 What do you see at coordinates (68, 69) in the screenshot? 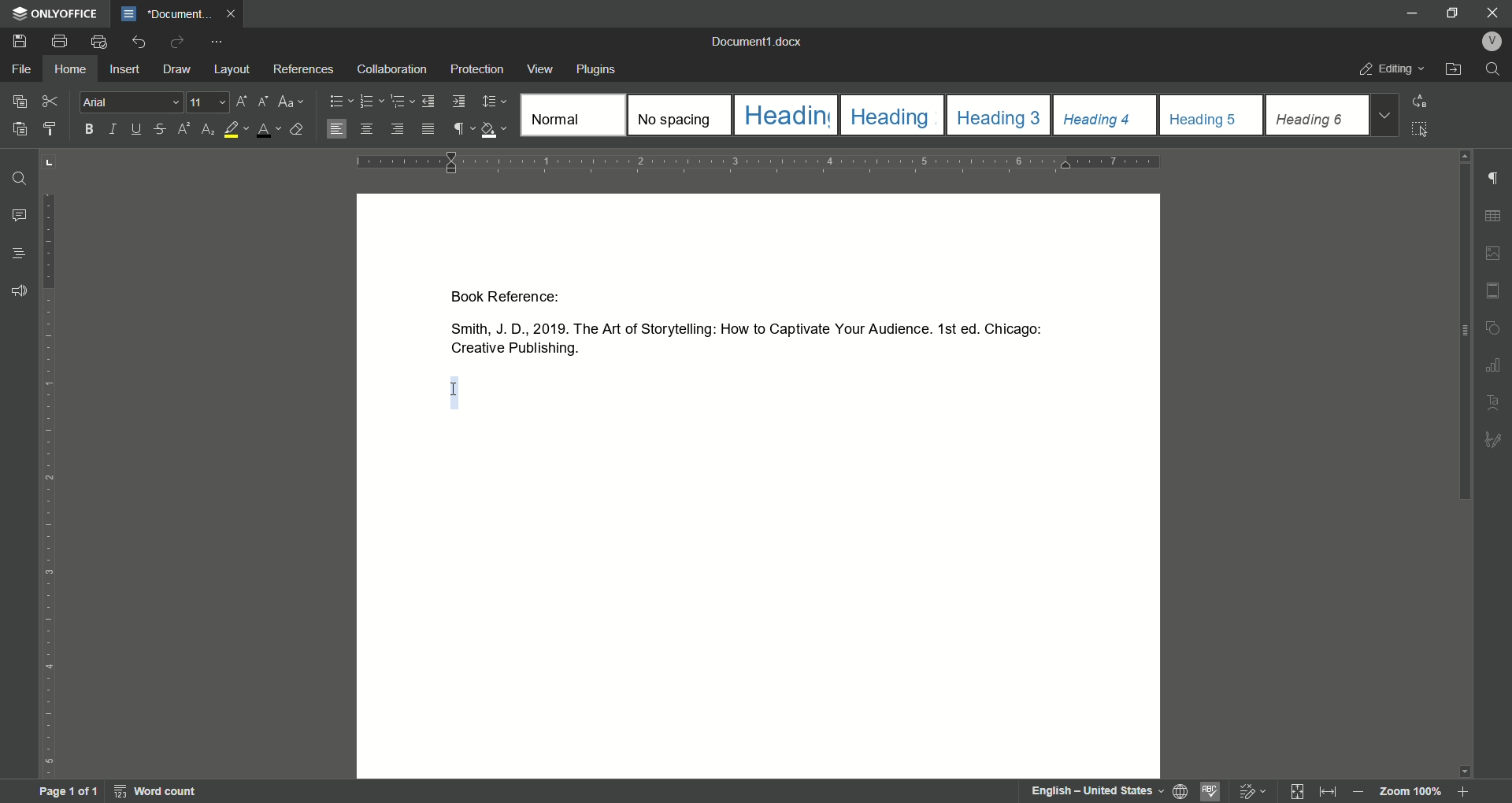
I see `home` at bounding box center [68, 69].